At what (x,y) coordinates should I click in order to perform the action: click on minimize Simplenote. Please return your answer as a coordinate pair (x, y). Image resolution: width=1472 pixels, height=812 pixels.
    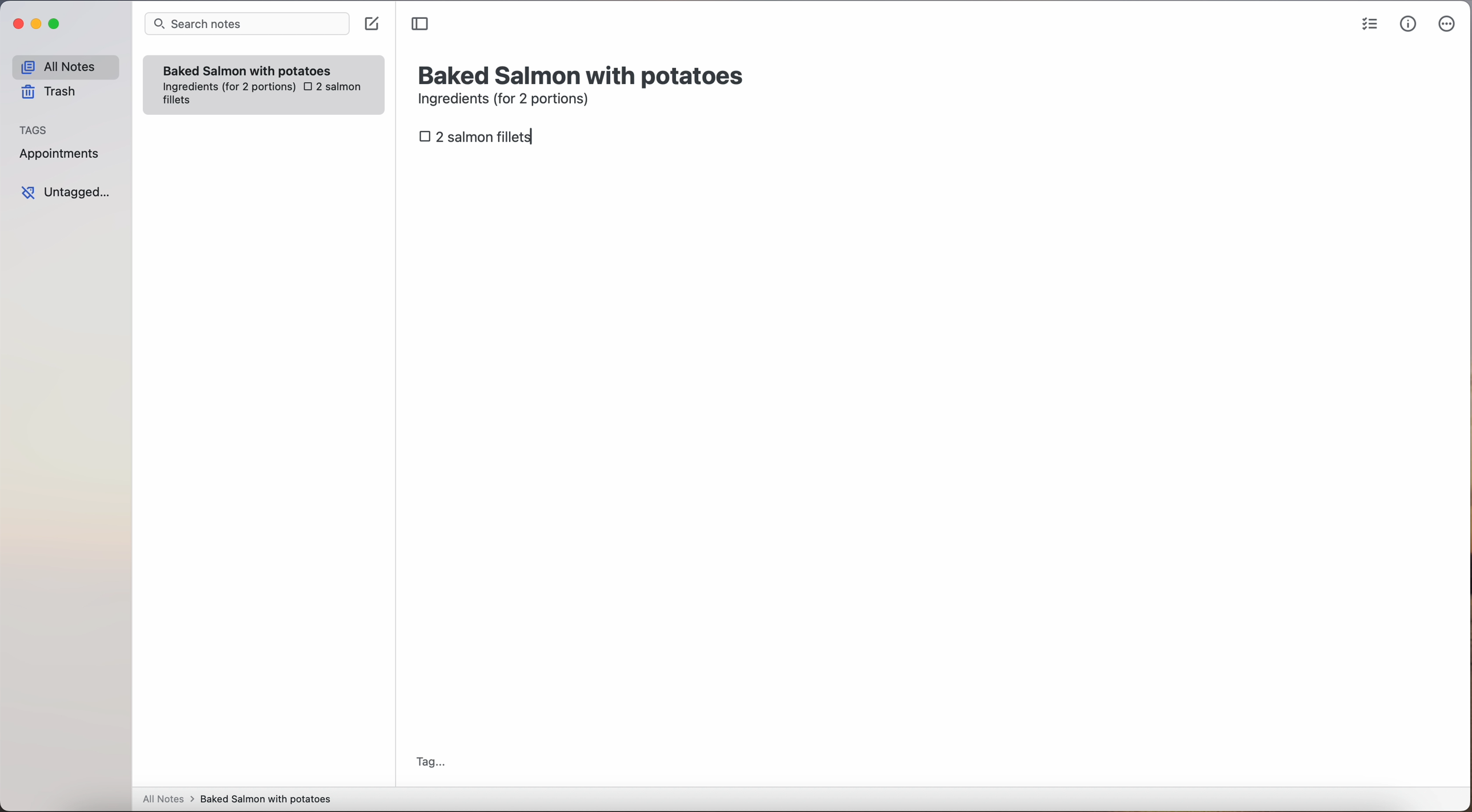
    Looking at the image, I should click on (36, 25).